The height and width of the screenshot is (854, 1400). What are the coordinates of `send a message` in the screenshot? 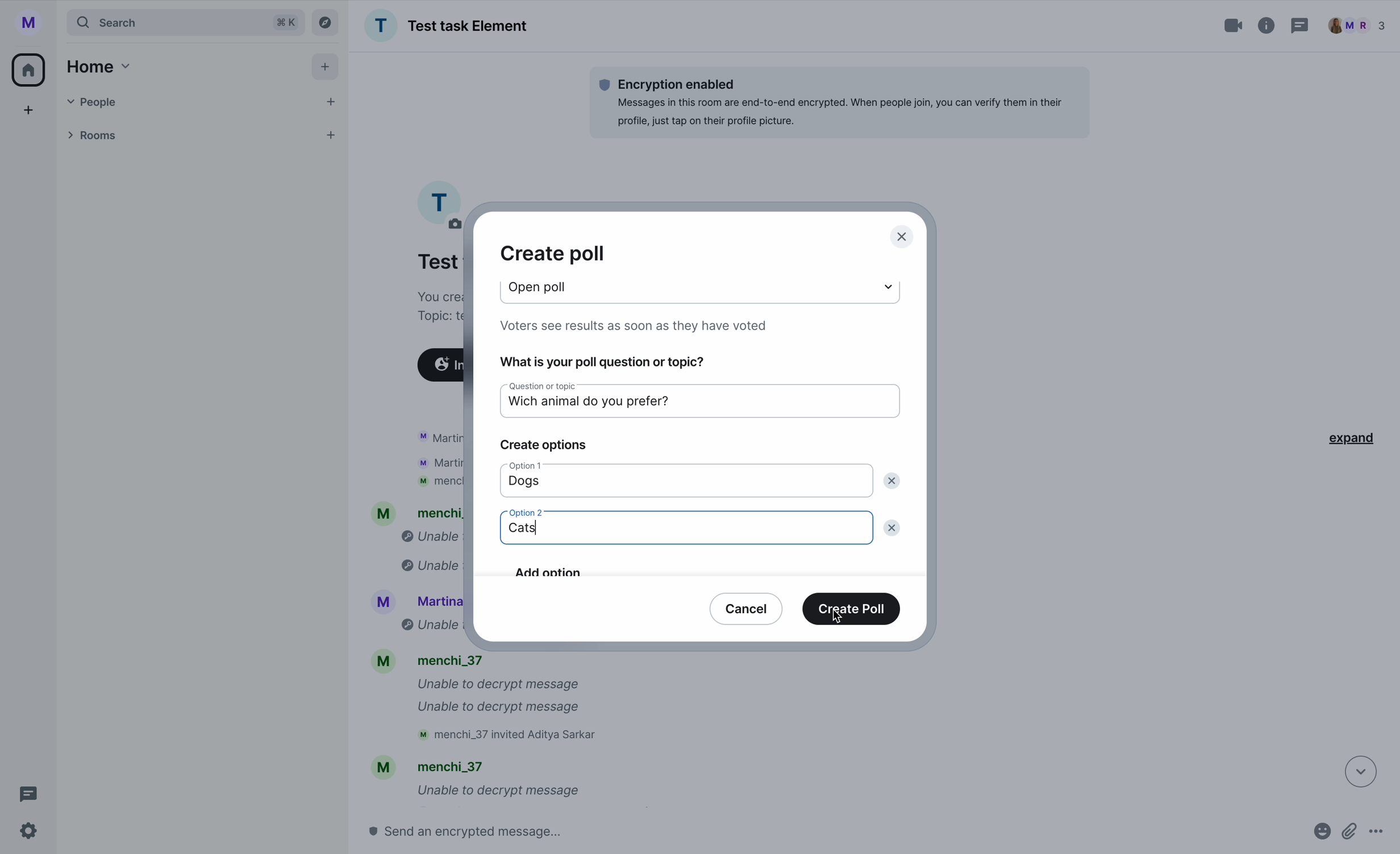 It's located at (489, 831).